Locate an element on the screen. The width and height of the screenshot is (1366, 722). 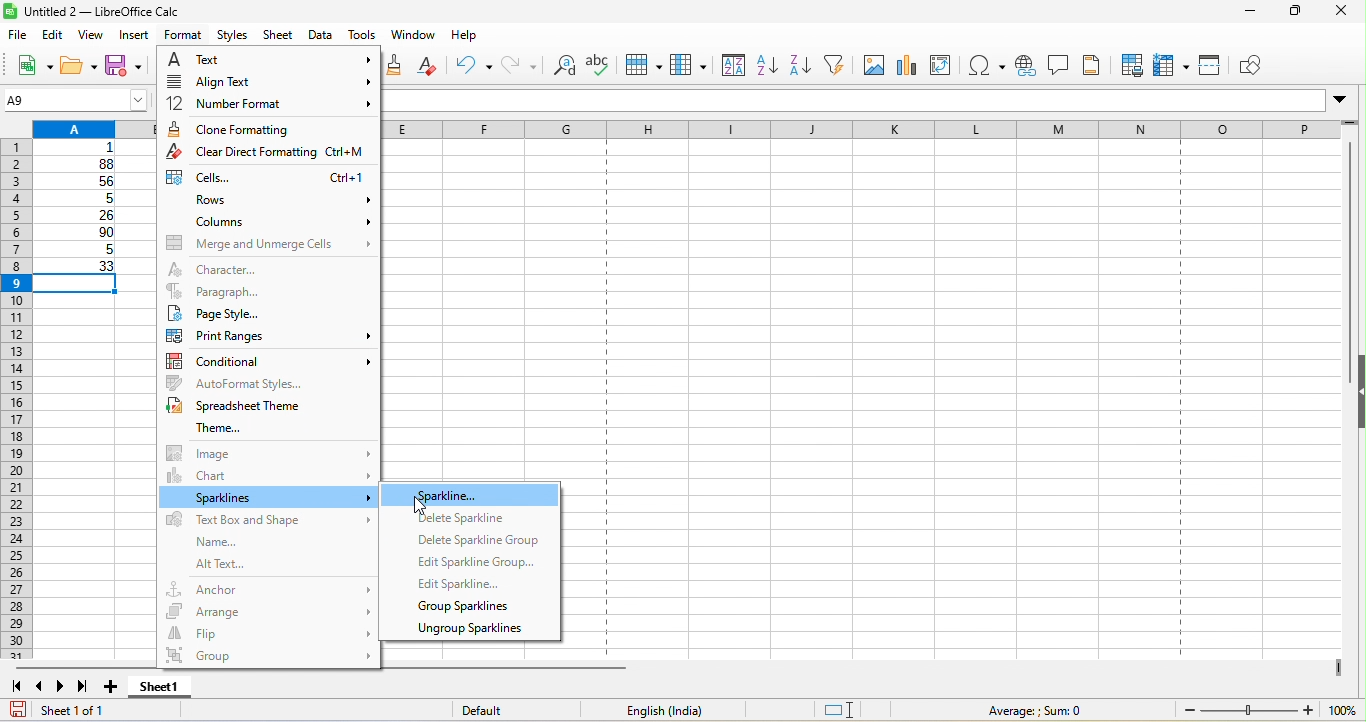
formula bar is located at coordinates (870, 103).